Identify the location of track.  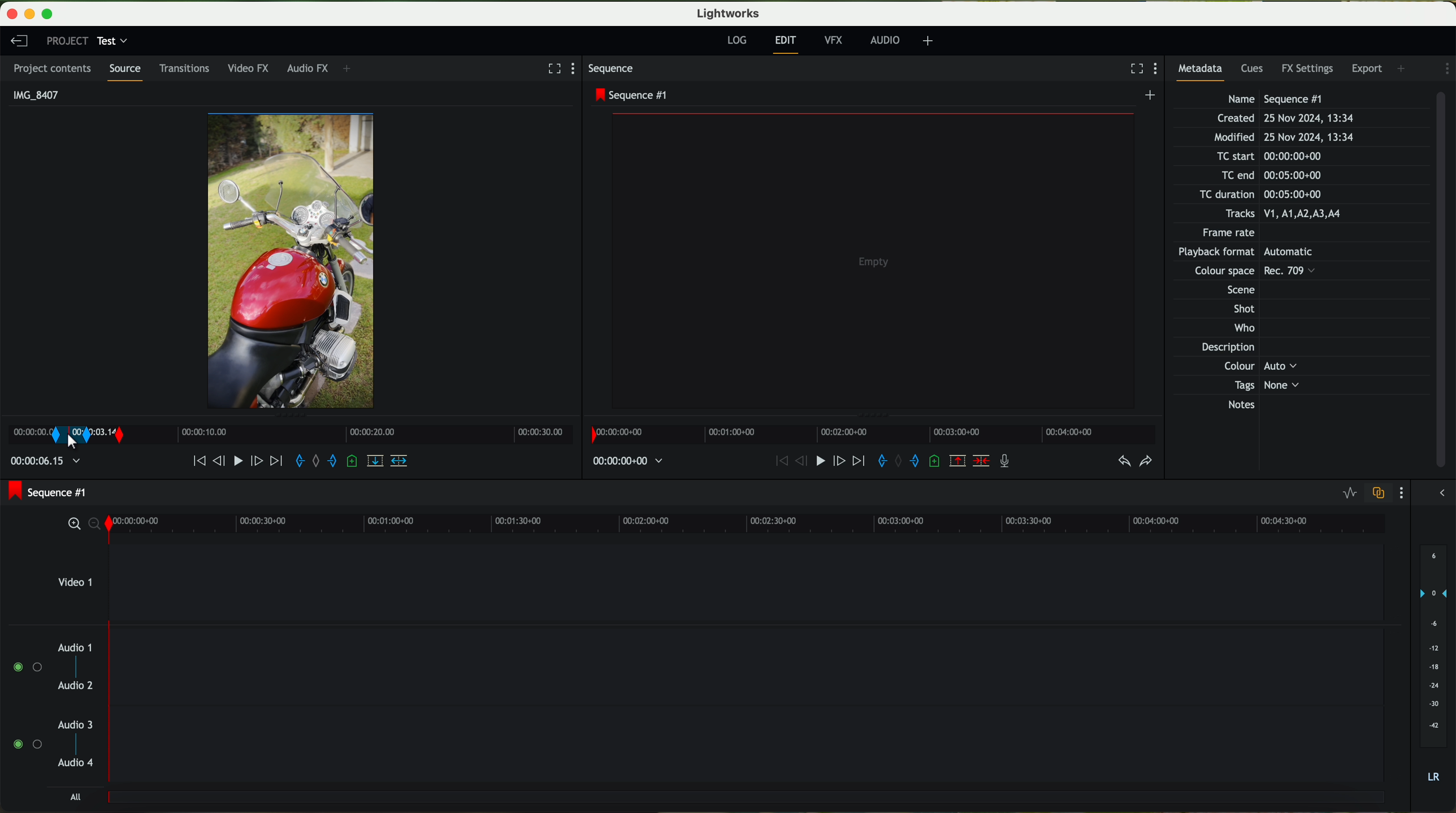
(749, 663).